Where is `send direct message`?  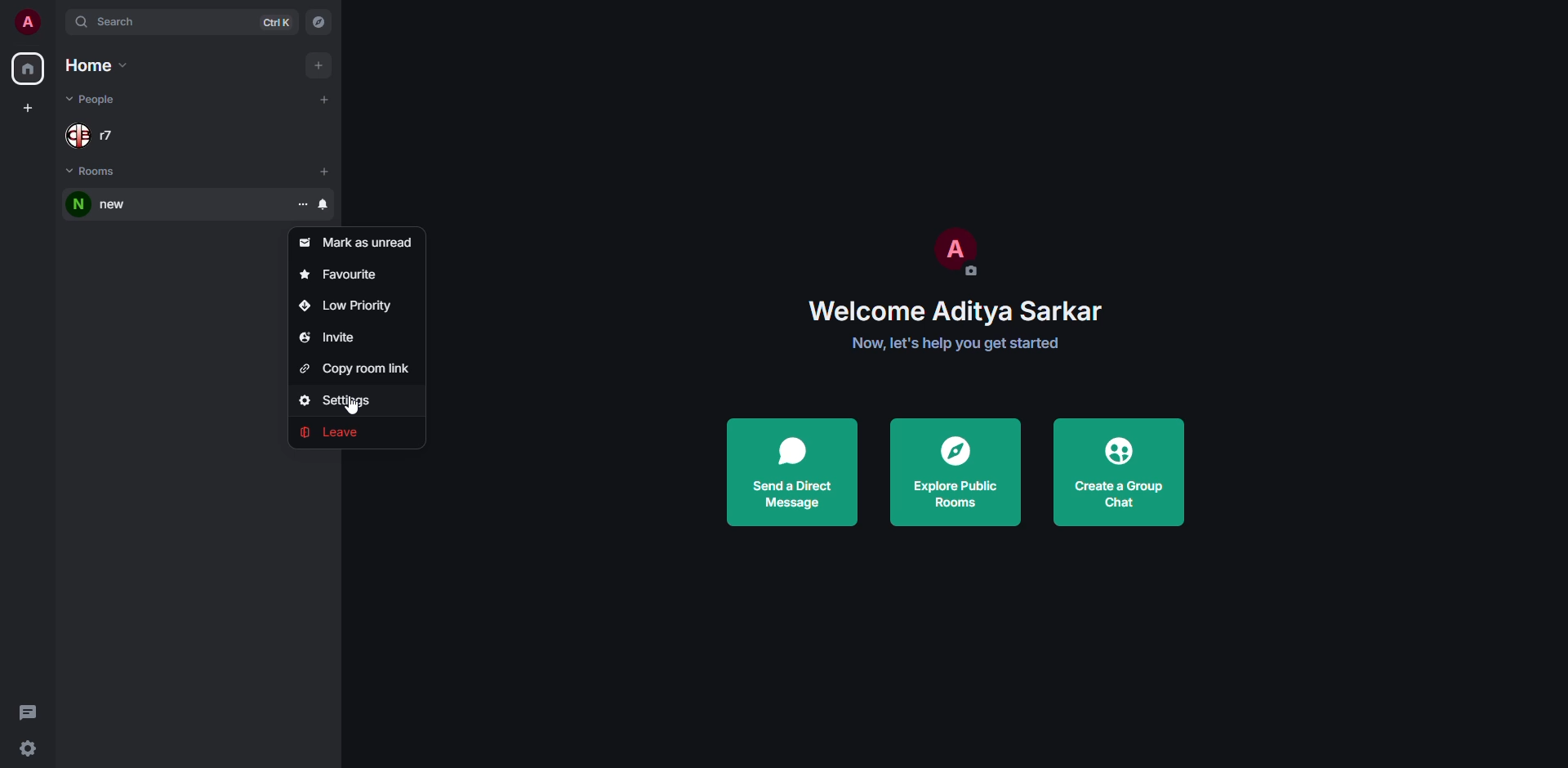
send direct message is located at coordinates (794, 468).